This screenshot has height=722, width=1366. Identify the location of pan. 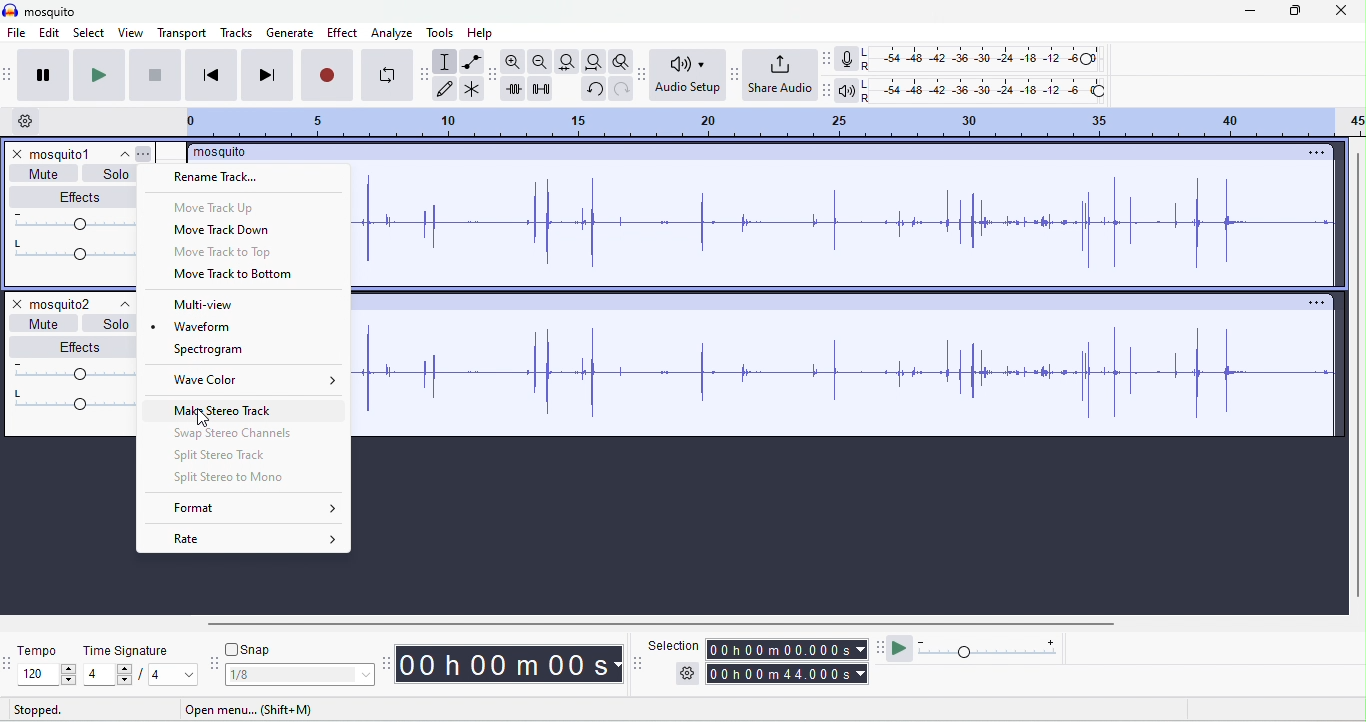
(76, 249).